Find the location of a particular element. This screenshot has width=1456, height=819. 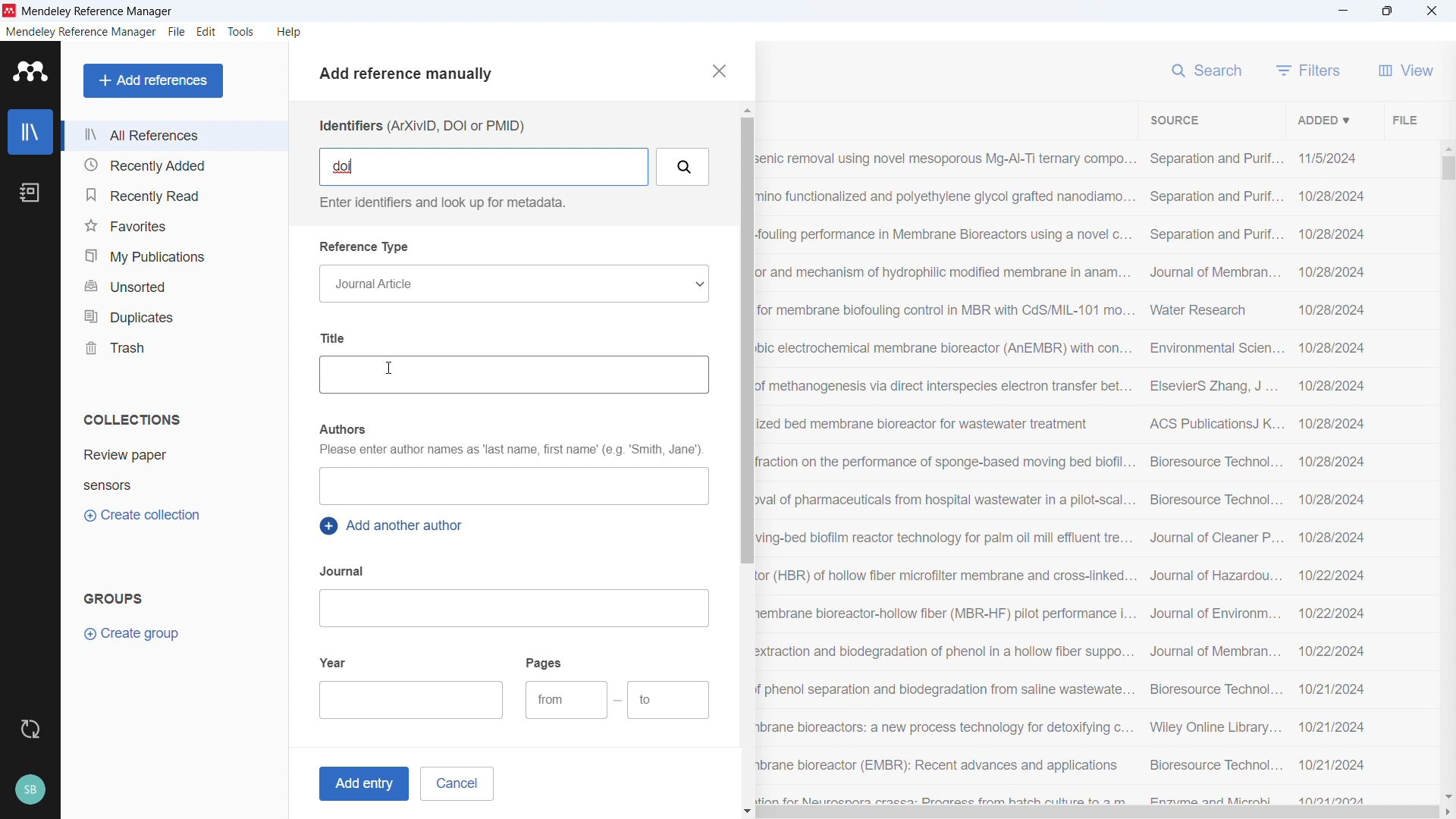

File  is located at coordinates (1403, 119).